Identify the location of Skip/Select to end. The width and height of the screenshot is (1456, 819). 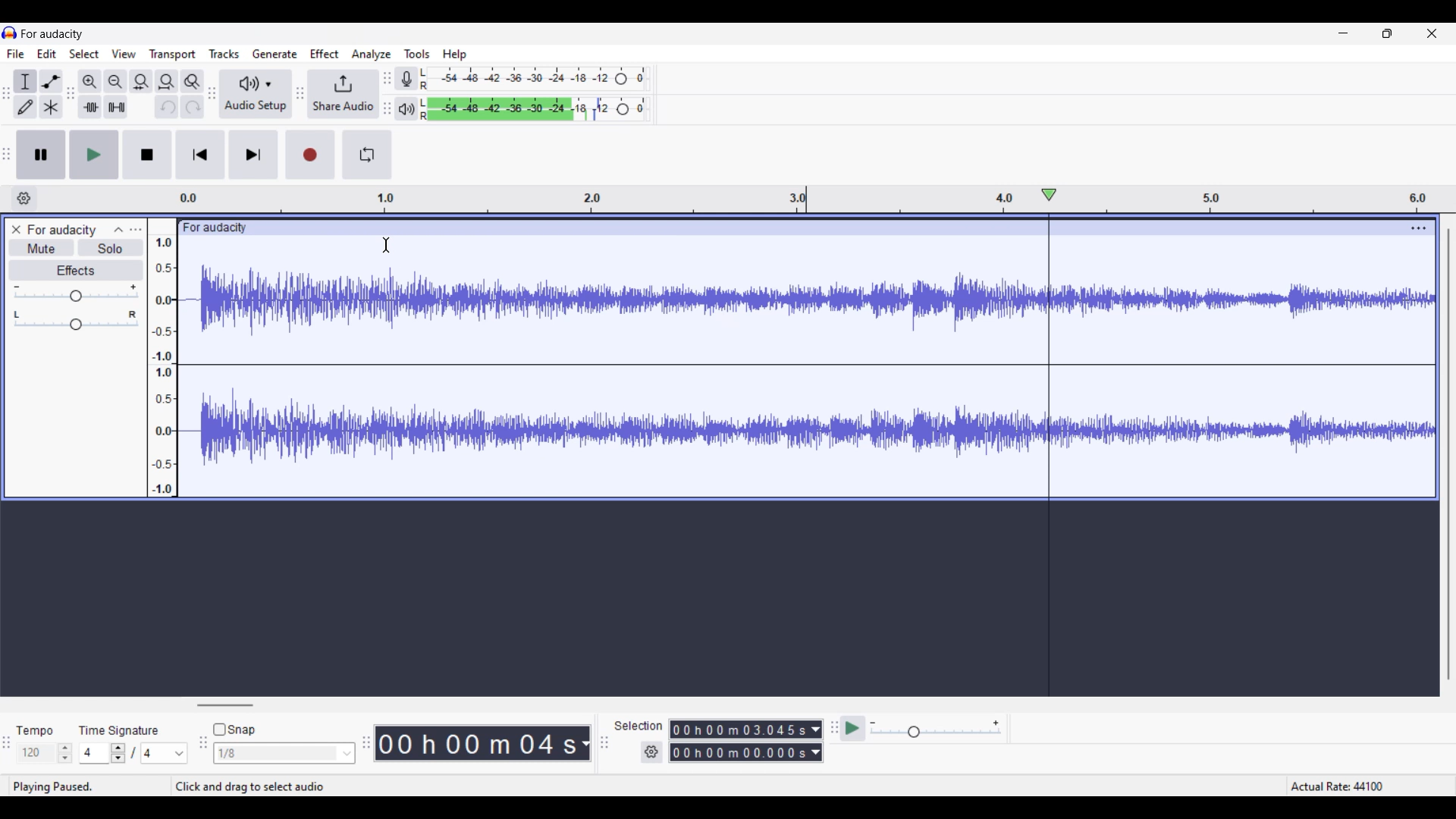
(253, 155).